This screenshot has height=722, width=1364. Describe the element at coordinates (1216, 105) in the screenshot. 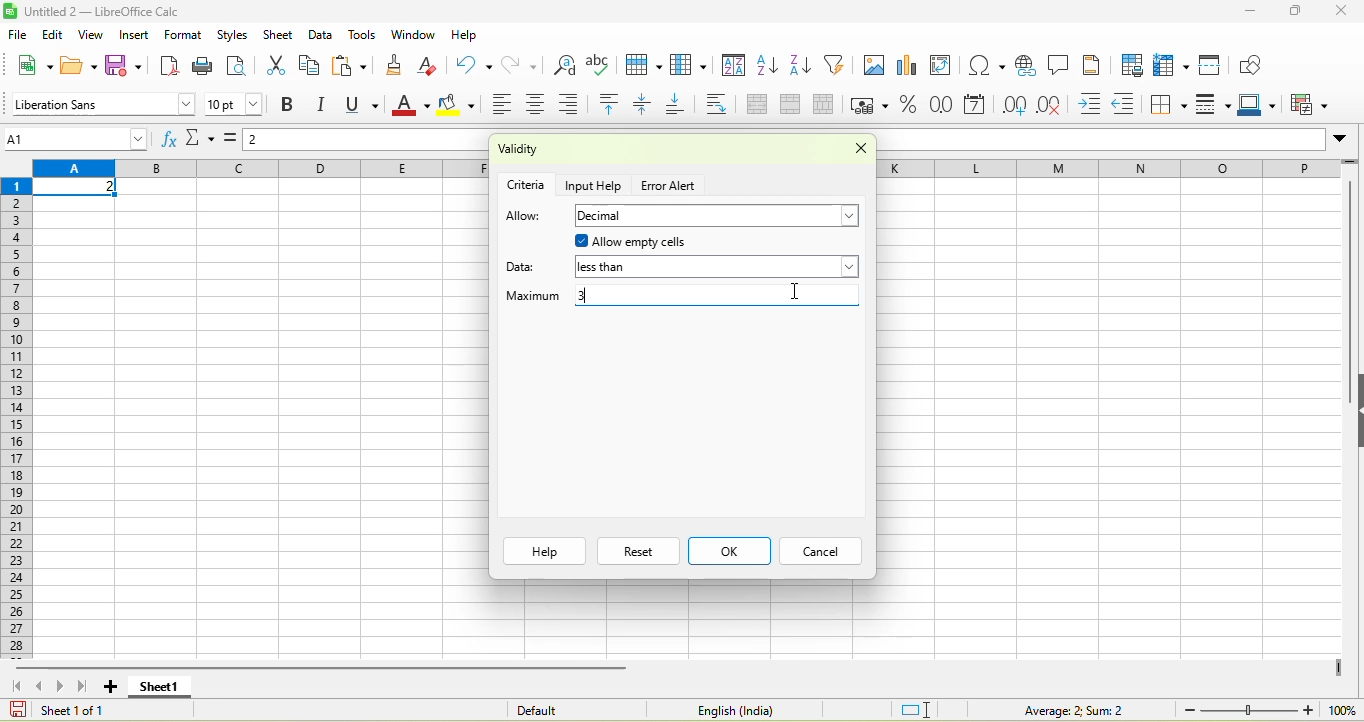

I see `border style` at that location.